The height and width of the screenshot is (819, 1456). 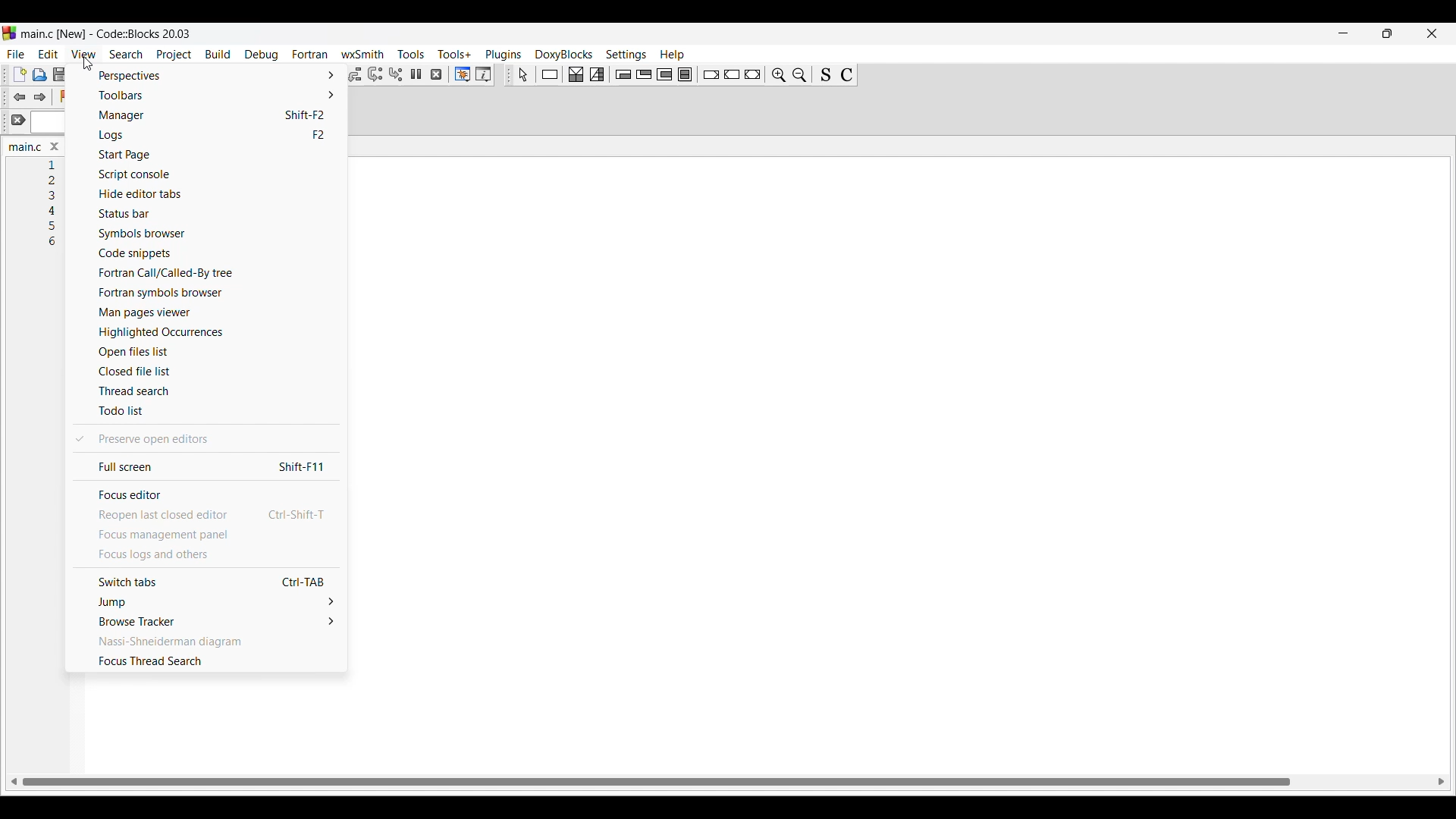 What do you see at coordinates (685, 74) in the screenshot?
I see `Block instruction` at bounding box center [685, 74].